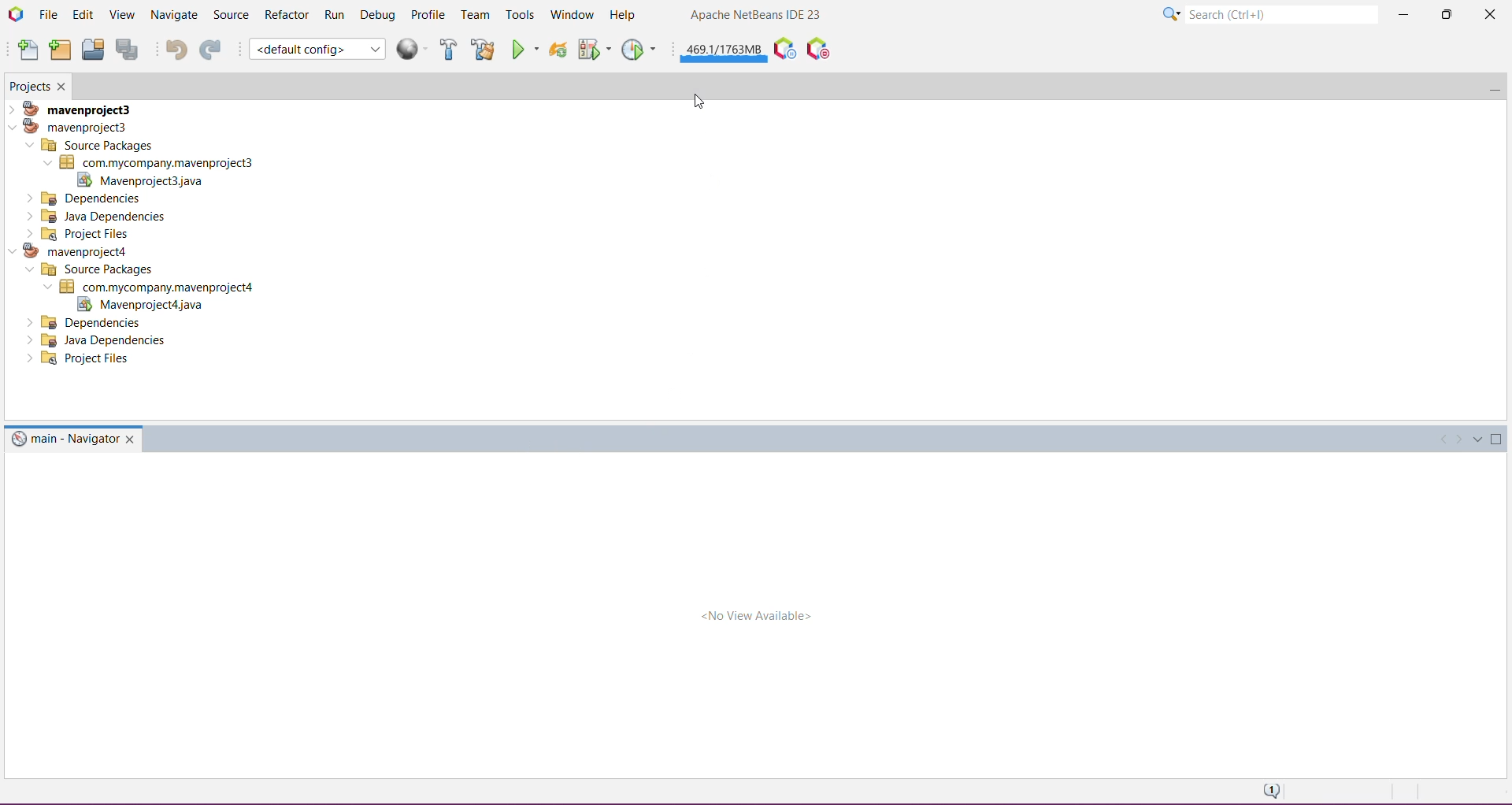 The width and height of the screenshot is (1512, 805). I want to click on Search, so click(1281, 13).